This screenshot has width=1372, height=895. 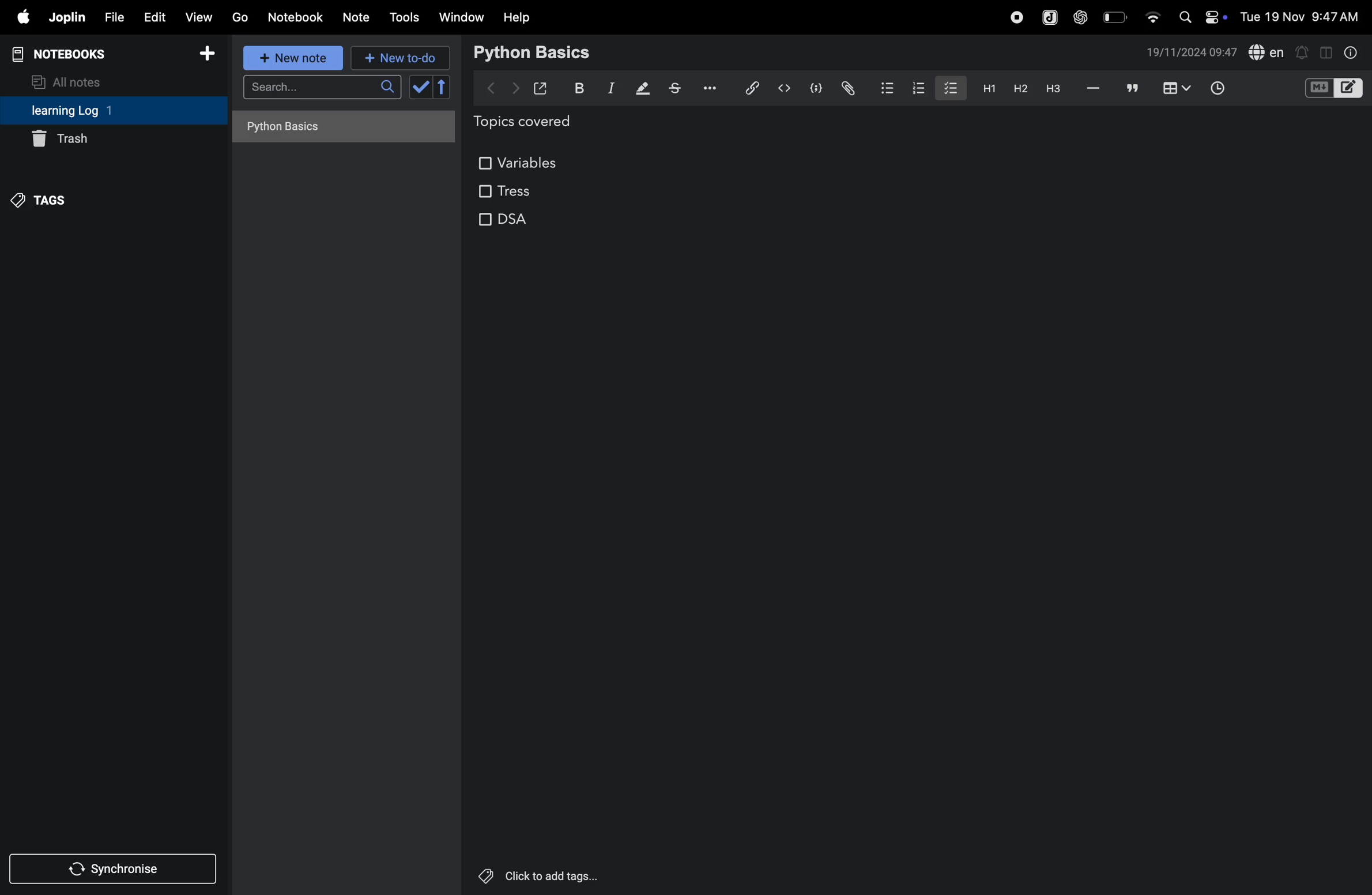 I want to click on hifen, so click(x=1094, y=89).